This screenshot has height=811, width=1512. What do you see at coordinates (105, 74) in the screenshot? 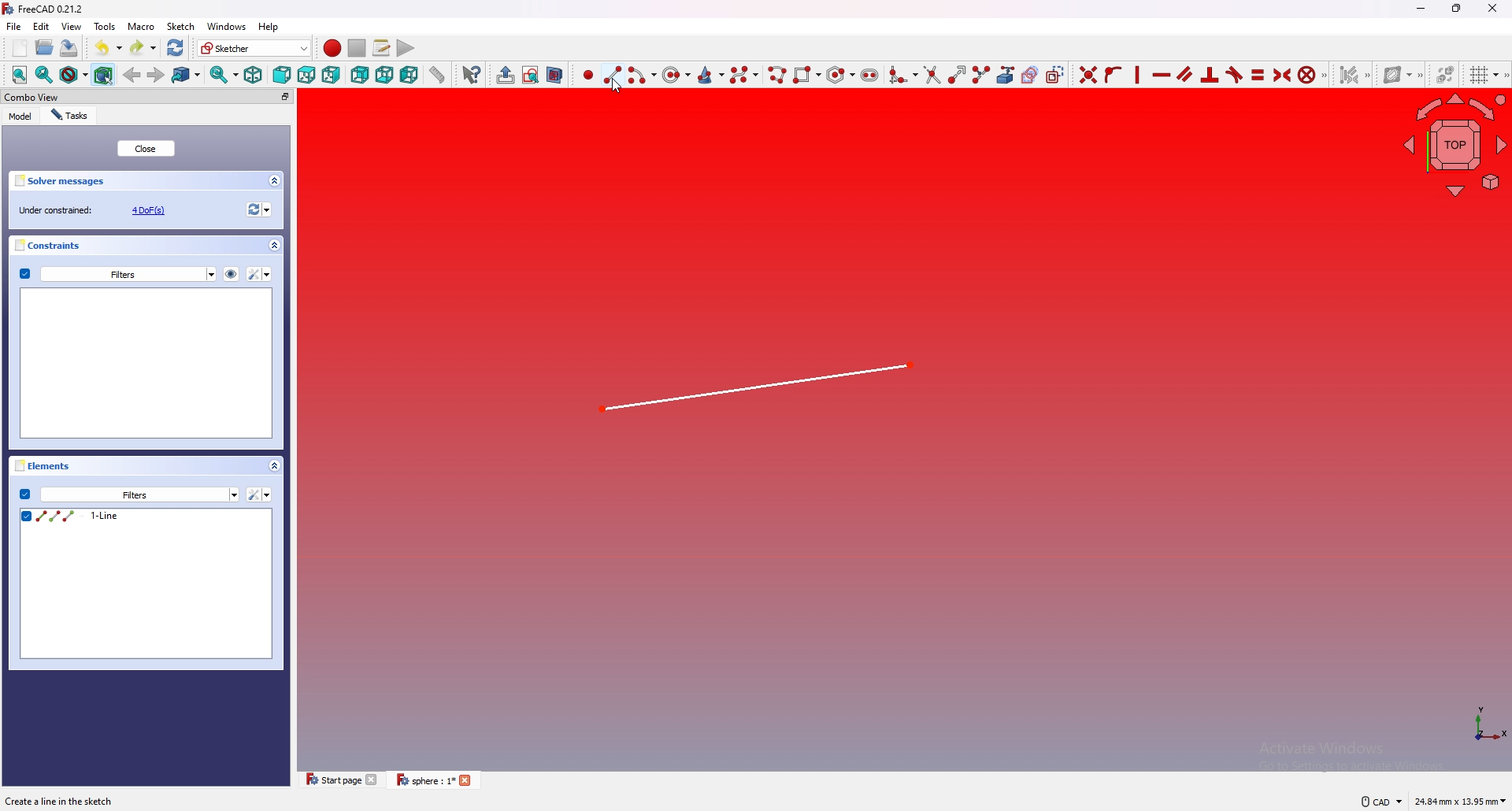
I see `Bounding box` at bounding box center [105, 74].